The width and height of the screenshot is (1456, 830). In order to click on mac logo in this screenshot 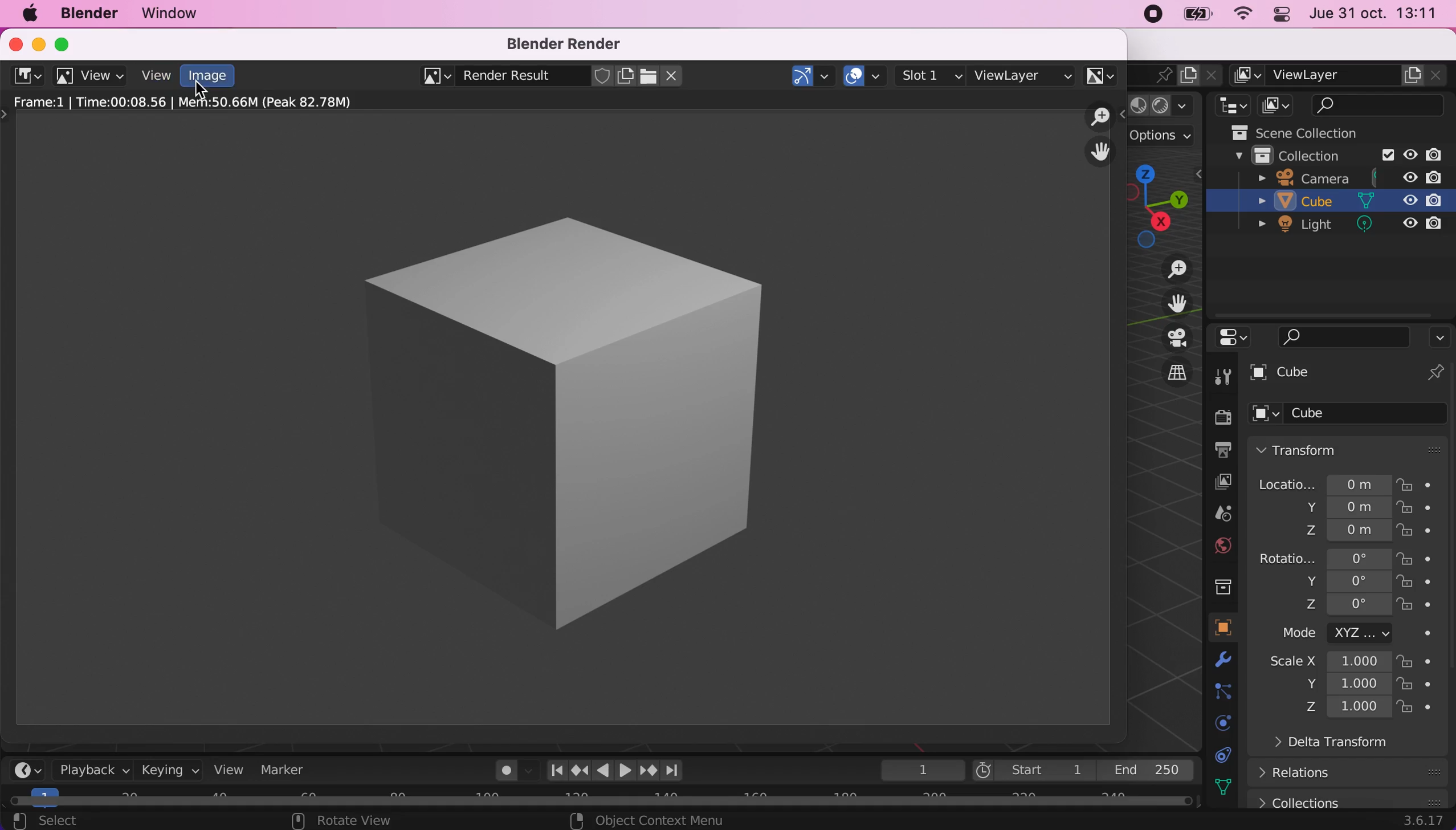, I will do `click(26, 14)`.